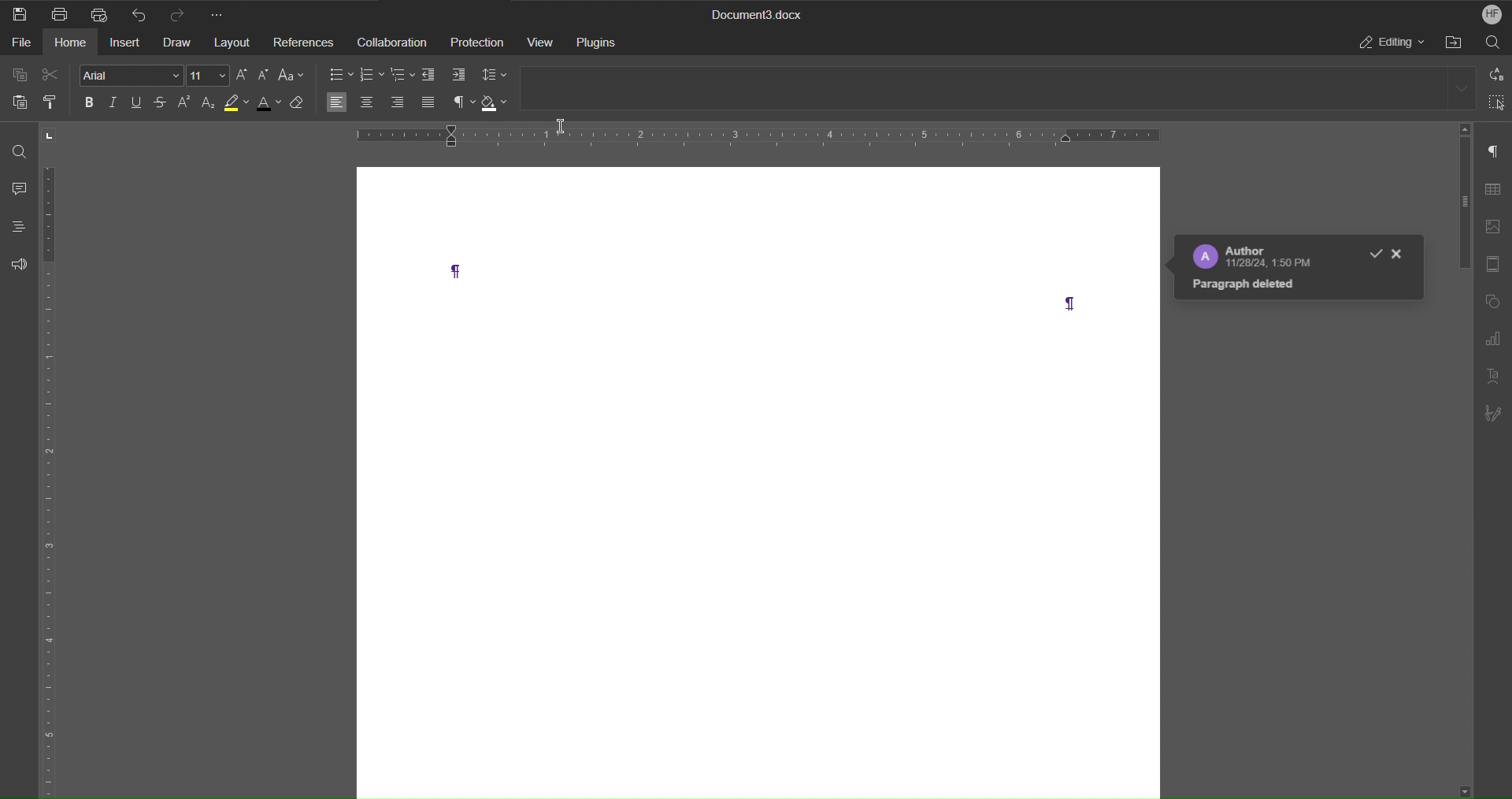 The image size is (1512, 799). Describe the element at coordinates (53, 136) in the screenshot. I see `Tab stop` at that location.